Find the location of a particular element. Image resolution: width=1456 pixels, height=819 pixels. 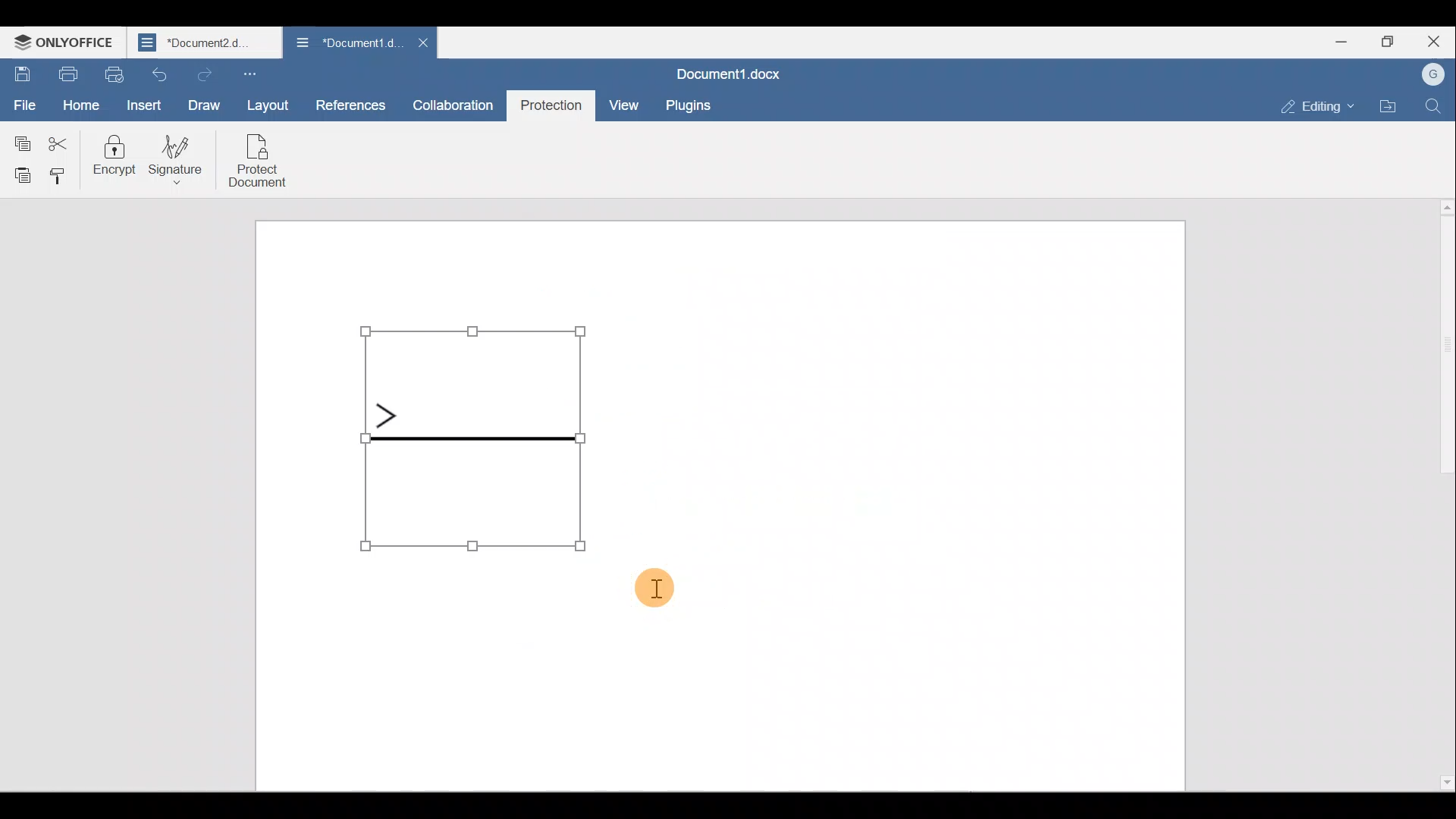

Customize quick access toolbar is located at coordinates (258, 74).